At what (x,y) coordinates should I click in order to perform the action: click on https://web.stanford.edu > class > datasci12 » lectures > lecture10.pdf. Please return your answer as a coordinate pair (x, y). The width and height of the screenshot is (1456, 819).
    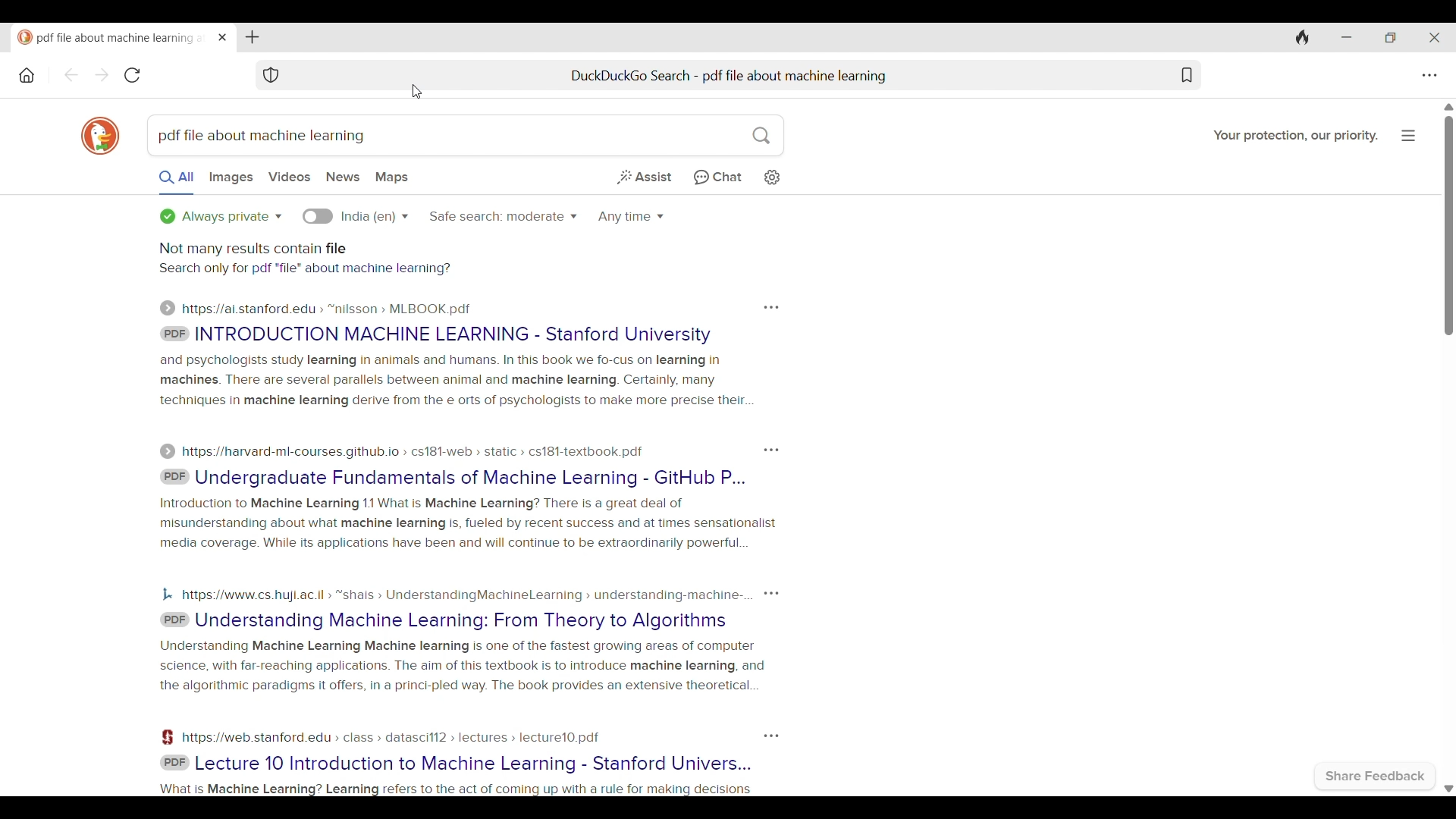
    Looking at the image, I should click on (393, 738).